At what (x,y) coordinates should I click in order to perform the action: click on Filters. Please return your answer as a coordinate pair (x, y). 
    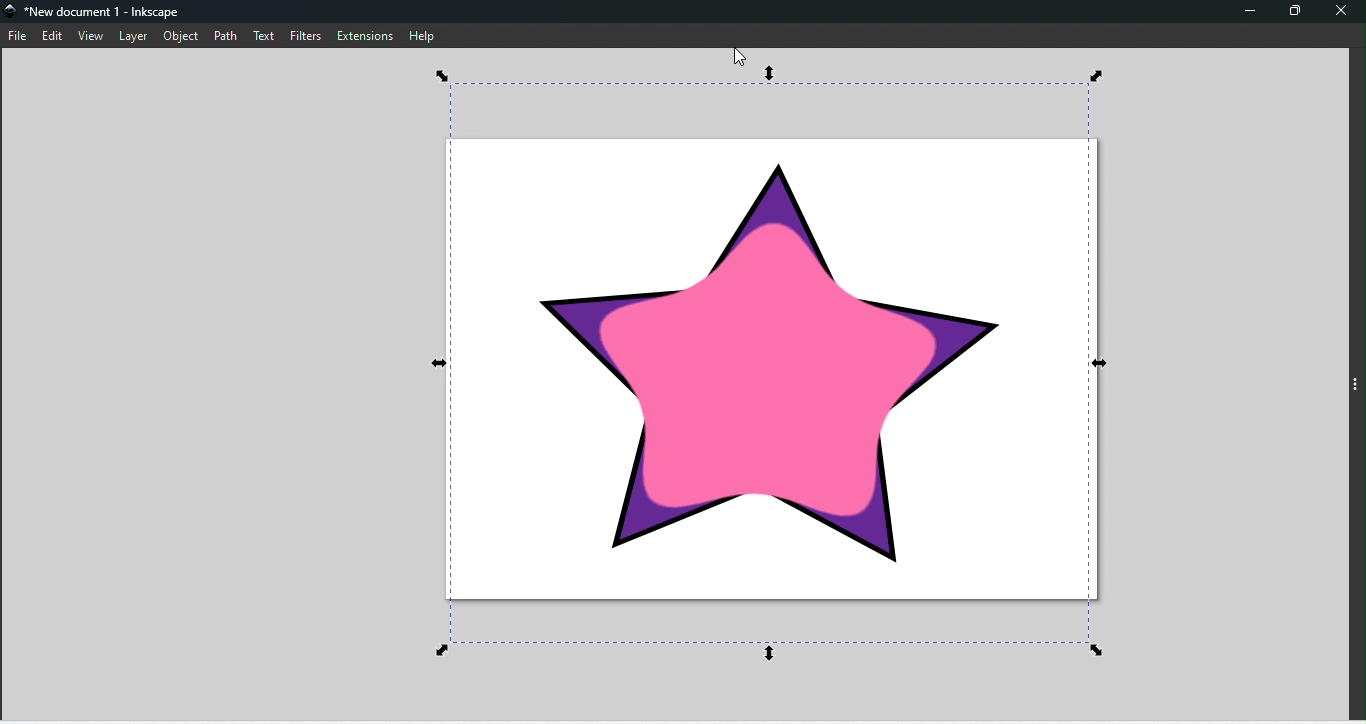
    Looking at the image, I should click on (309, 34).